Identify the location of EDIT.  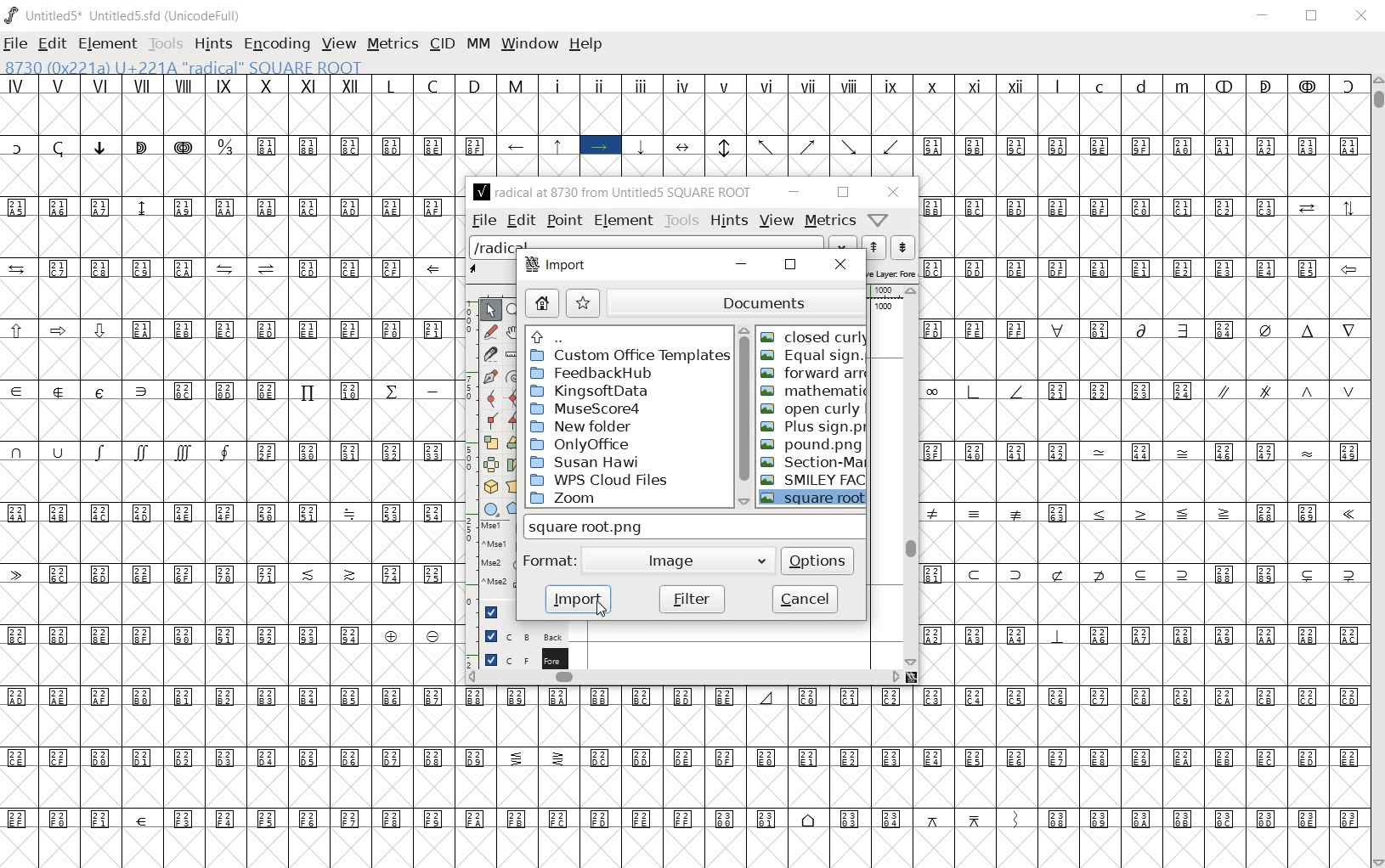
(50, 43).